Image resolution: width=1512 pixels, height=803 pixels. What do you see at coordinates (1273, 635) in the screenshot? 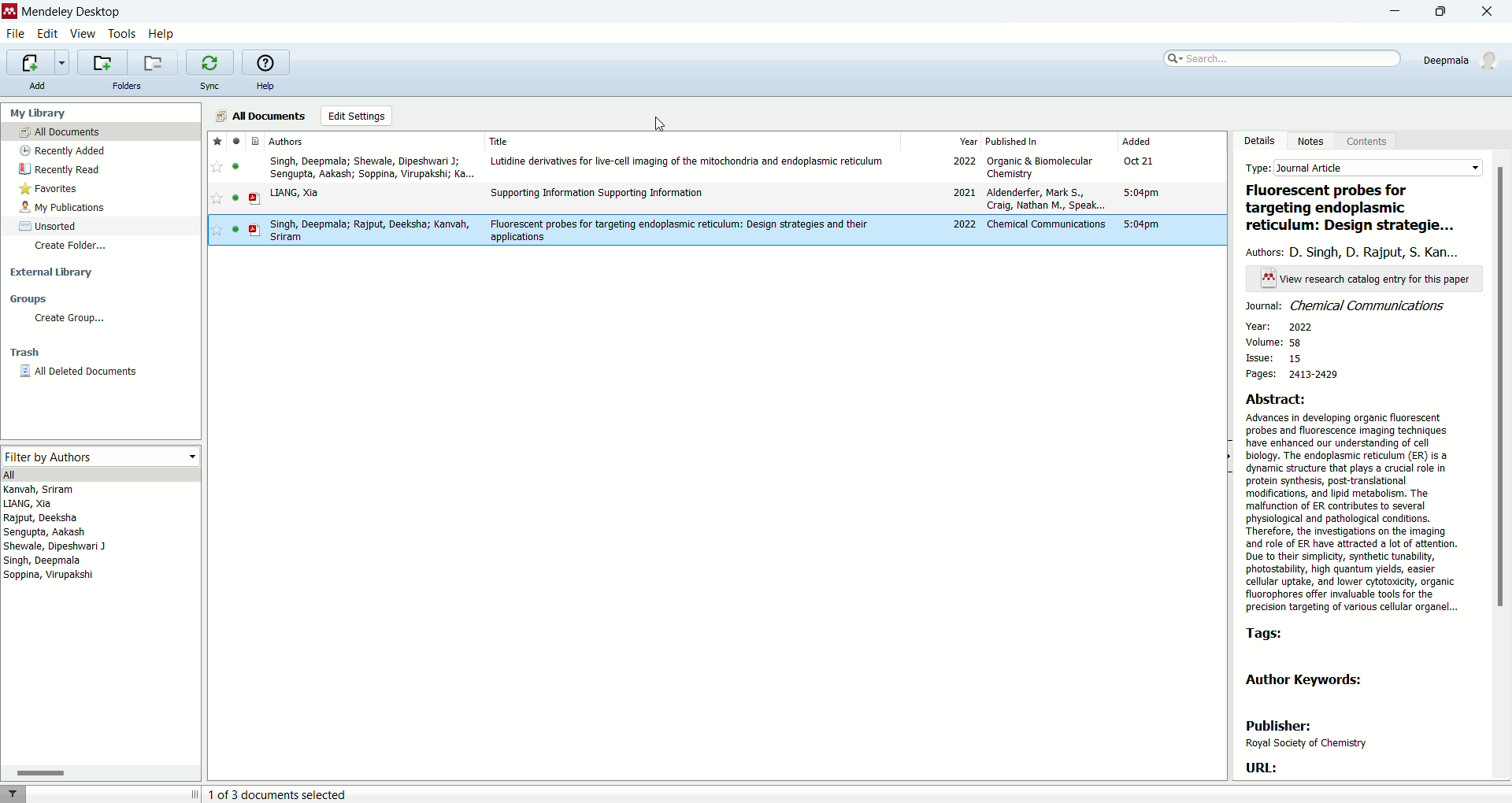
I see `tags` at bounding box center [1273, 635].